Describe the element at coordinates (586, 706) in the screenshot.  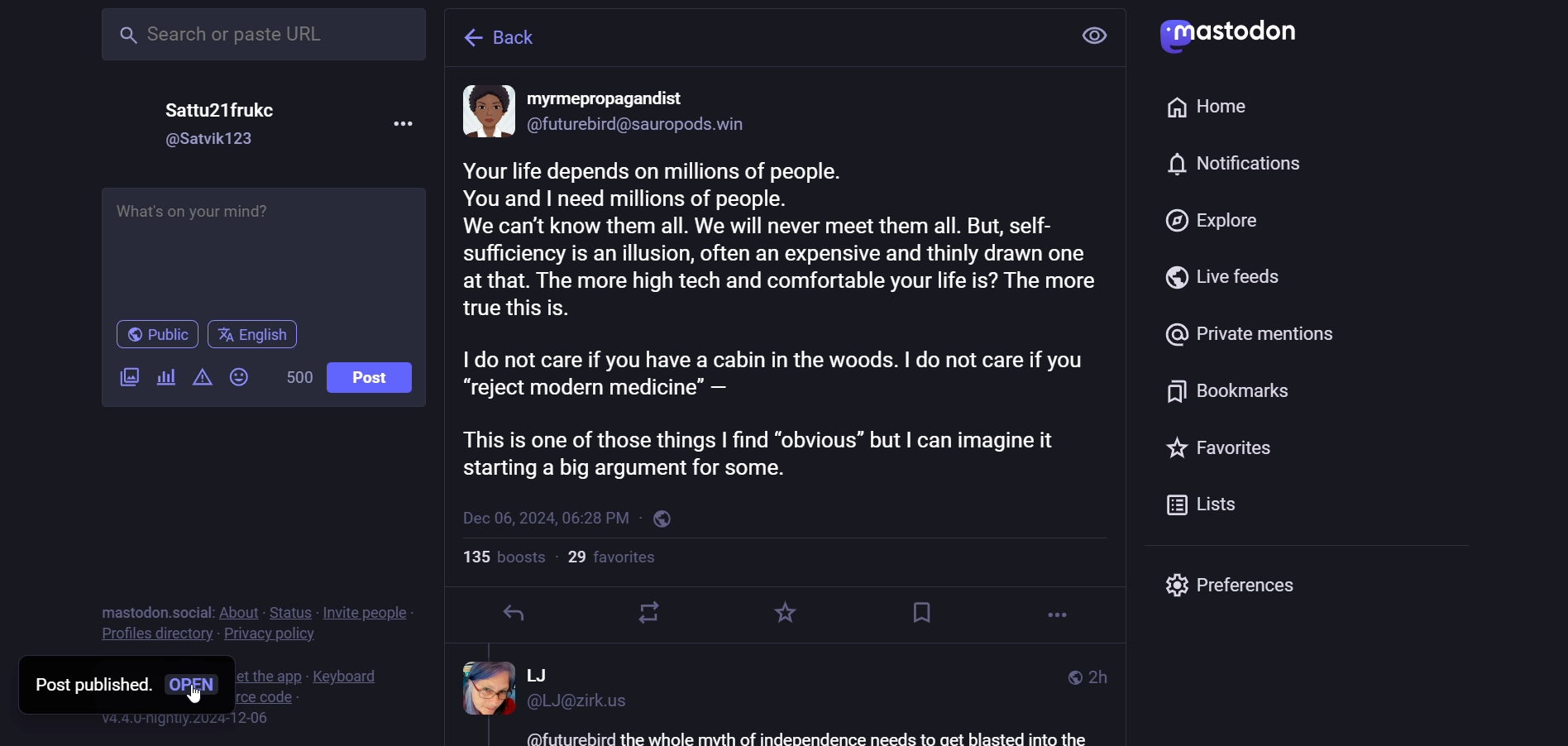
I see `id` at that location.